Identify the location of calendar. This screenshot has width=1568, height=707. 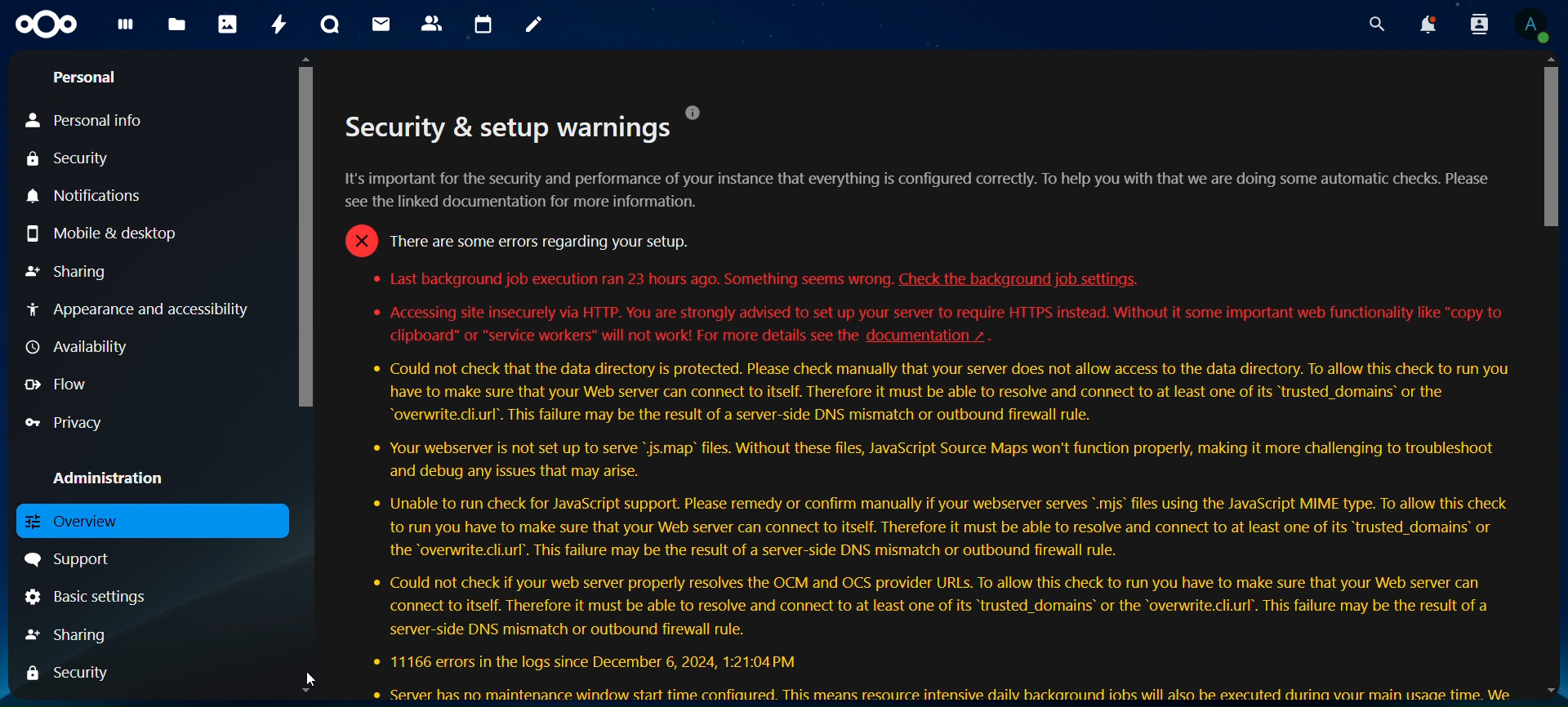
(481, 23).